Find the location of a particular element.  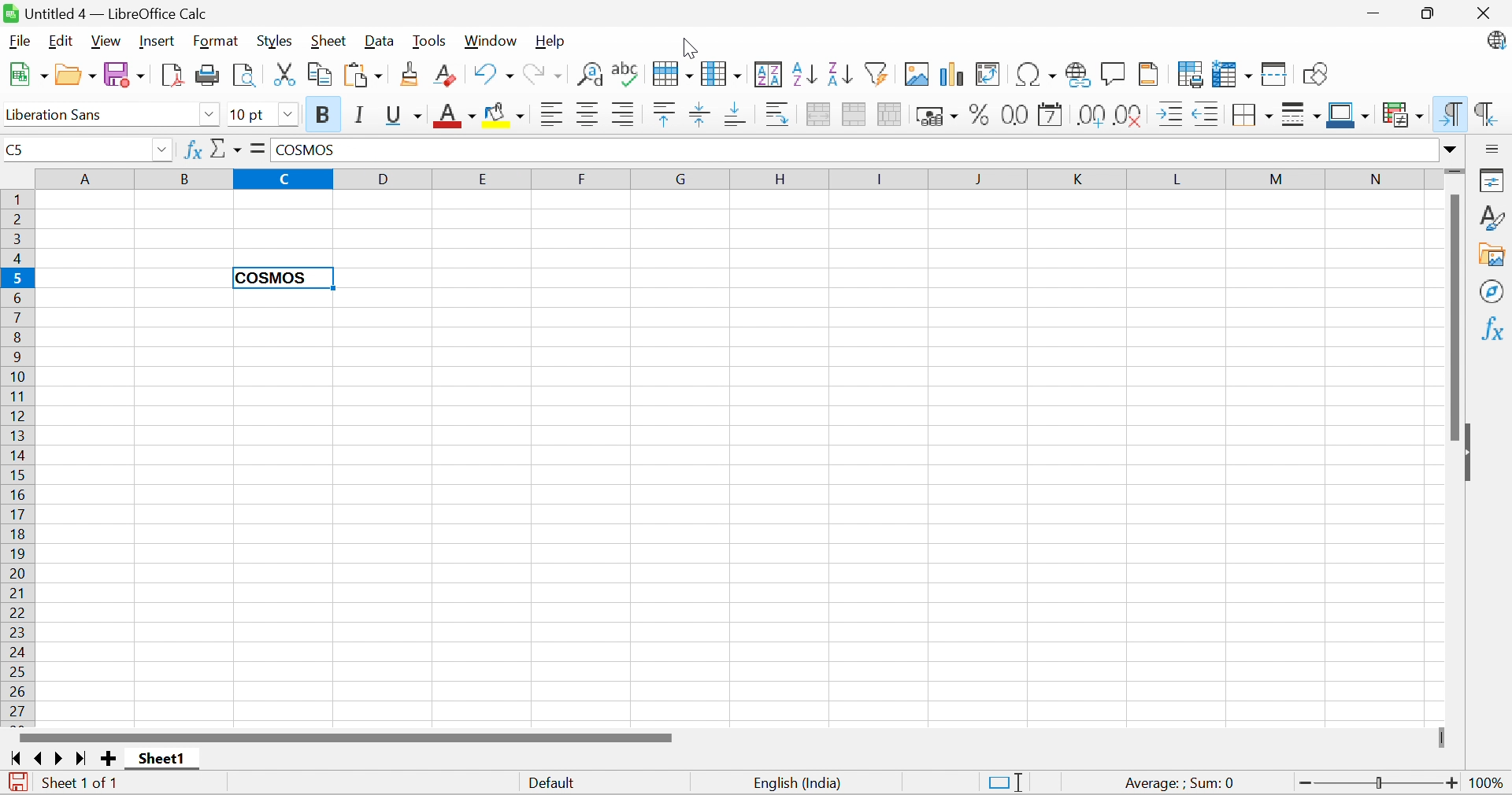

Insert Hyperlink is located at coordinates (1080, 75).